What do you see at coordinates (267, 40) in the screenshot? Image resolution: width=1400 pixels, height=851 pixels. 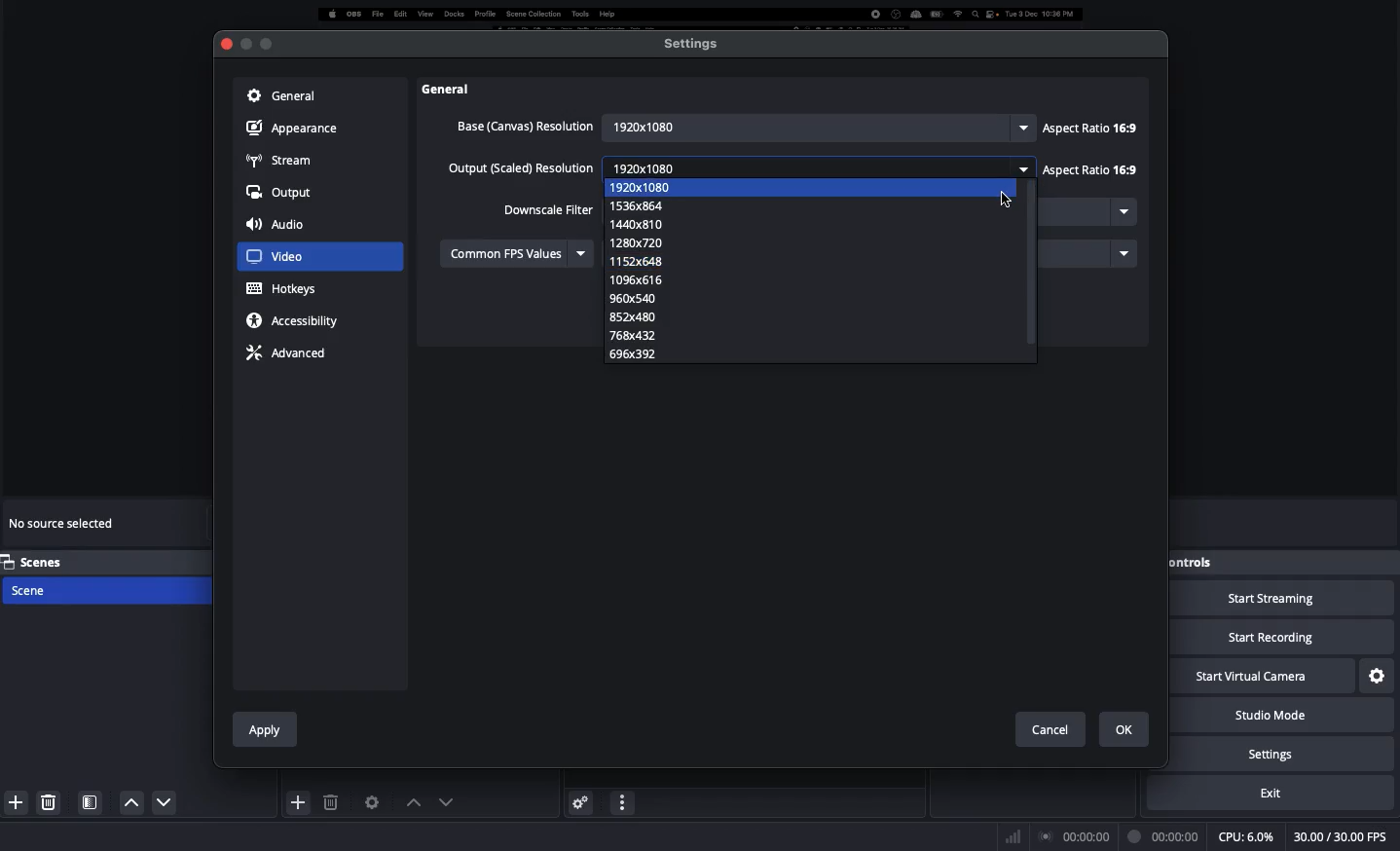 I see `minimize` at bounding box center [267, 40].